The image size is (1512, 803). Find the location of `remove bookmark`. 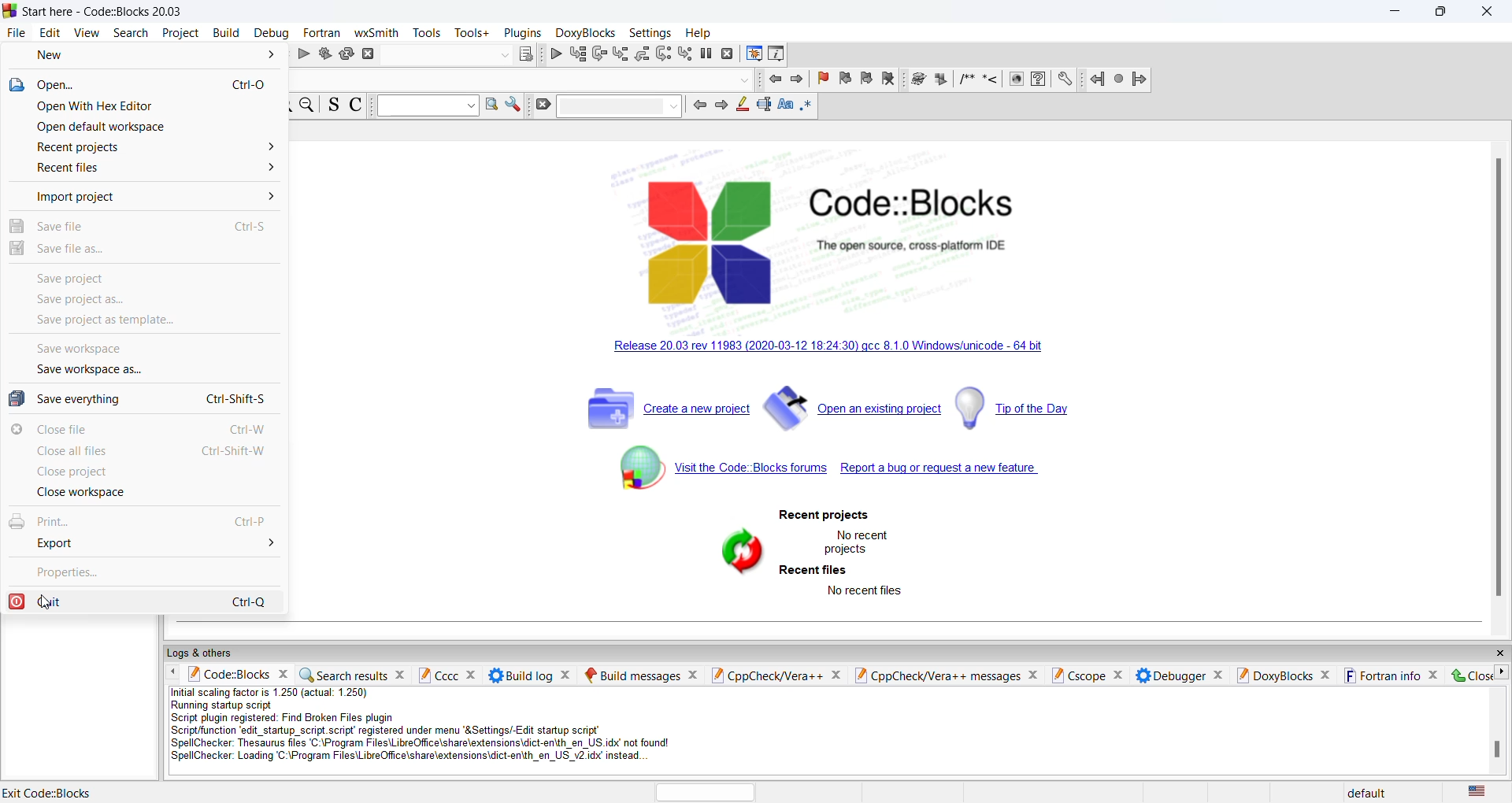

remove bookmark is located at coordinates (891, 80).